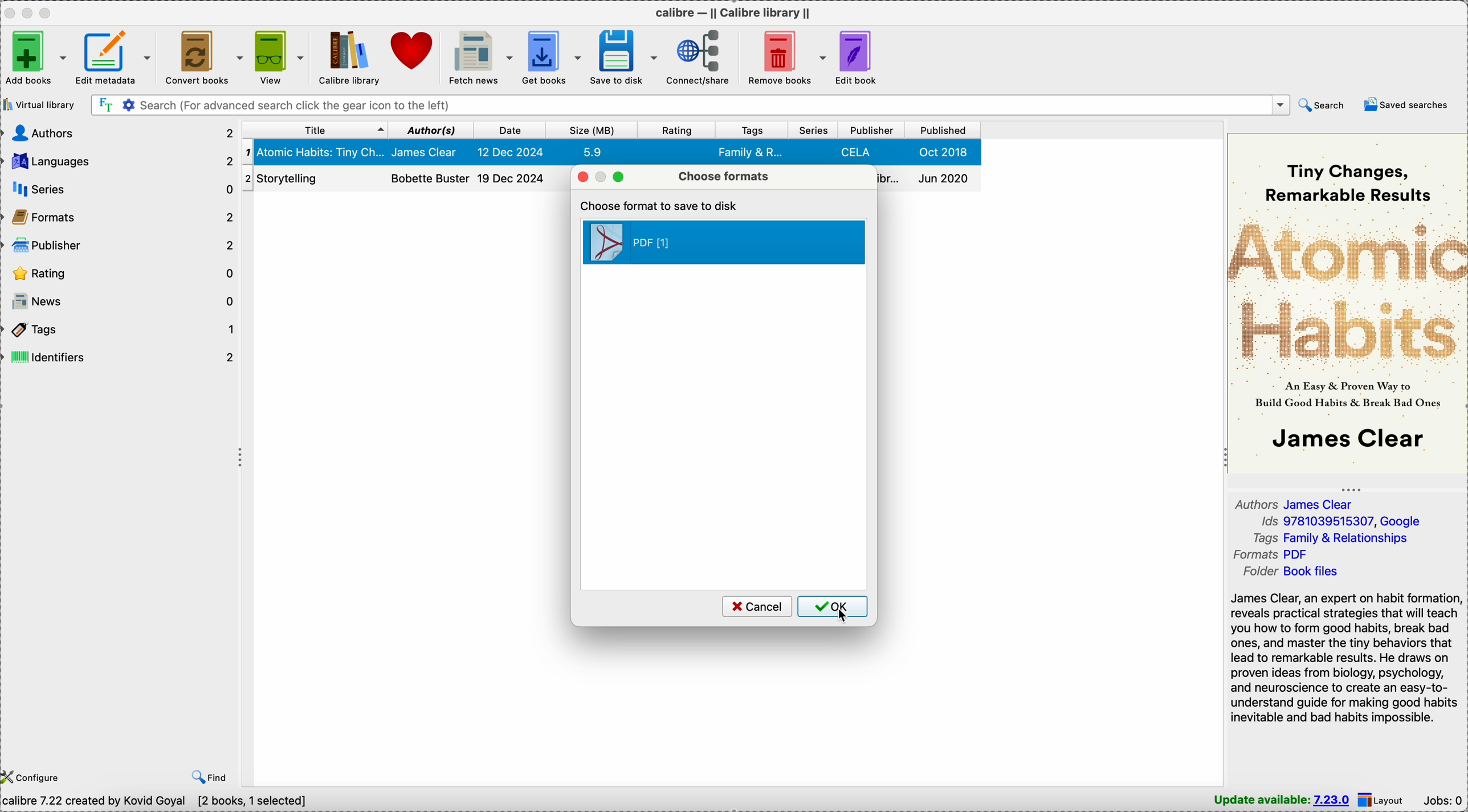  I want to click on folder Book files, so click(1292, 572).